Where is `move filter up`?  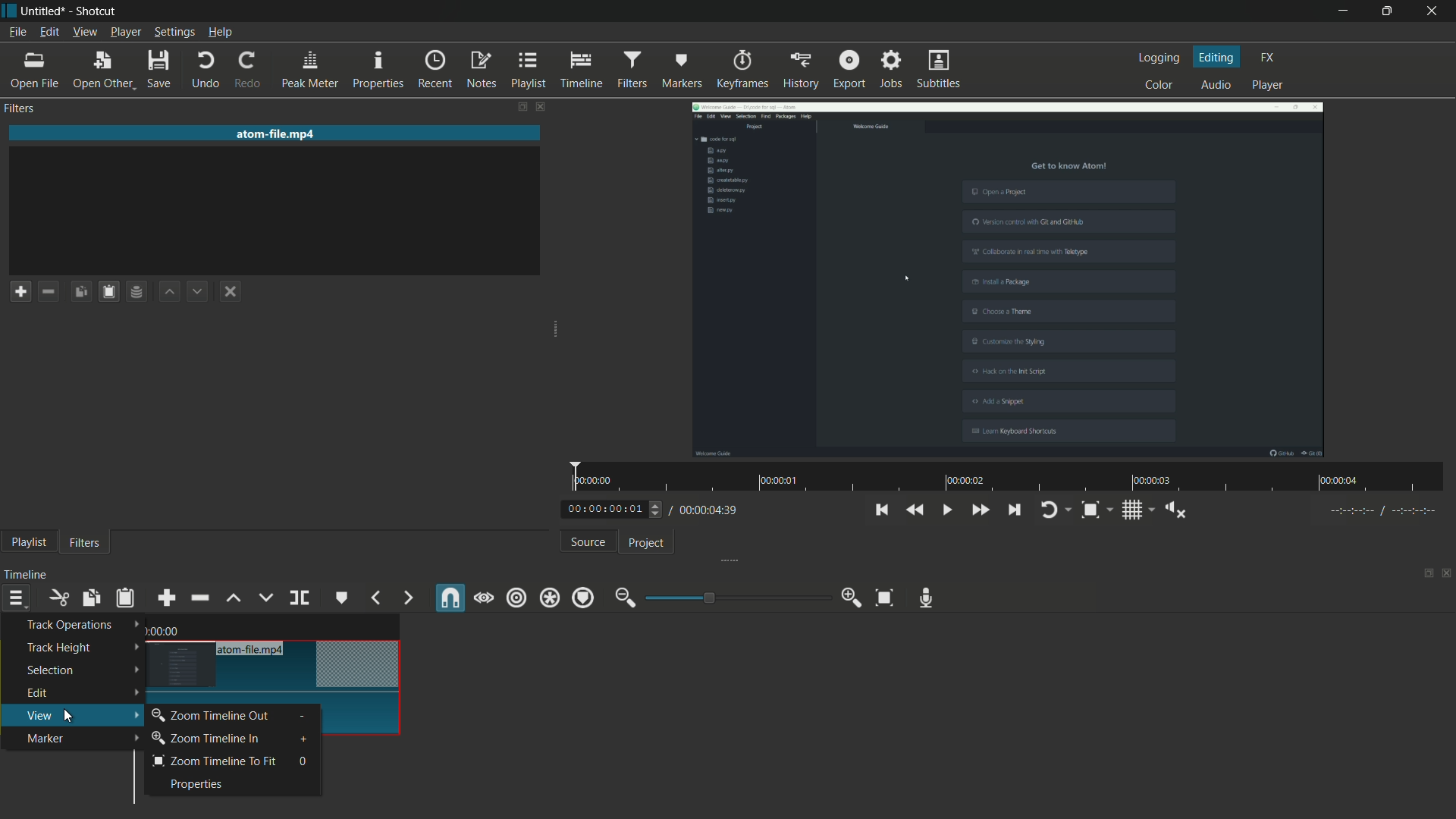
move filter up is located at coordinates (170, 293).